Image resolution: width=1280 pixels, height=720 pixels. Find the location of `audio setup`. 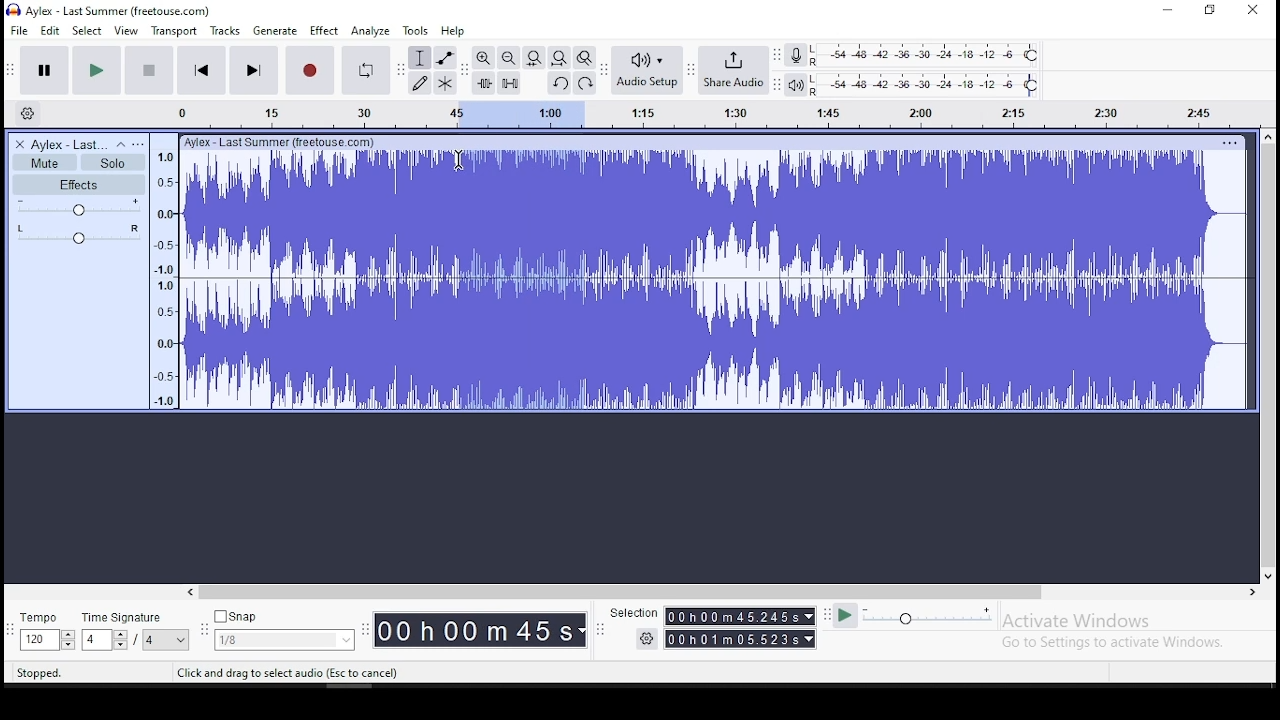

audio setup is located at coordinates (648, 70).